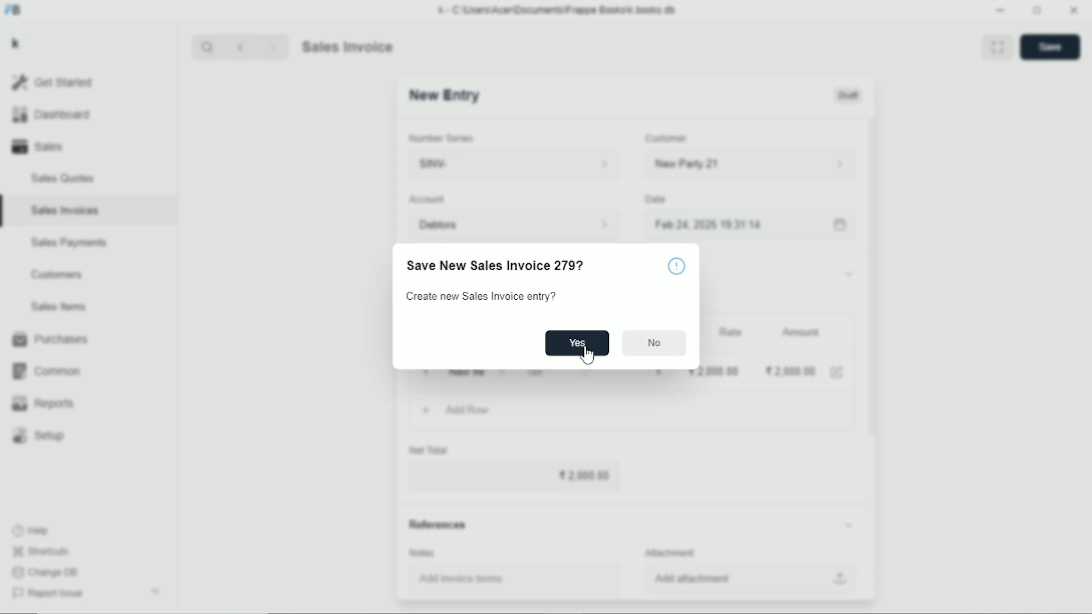 The width and height of the screenshot is (1092, 614). I want to click on 2000.00, so click(790, 371).